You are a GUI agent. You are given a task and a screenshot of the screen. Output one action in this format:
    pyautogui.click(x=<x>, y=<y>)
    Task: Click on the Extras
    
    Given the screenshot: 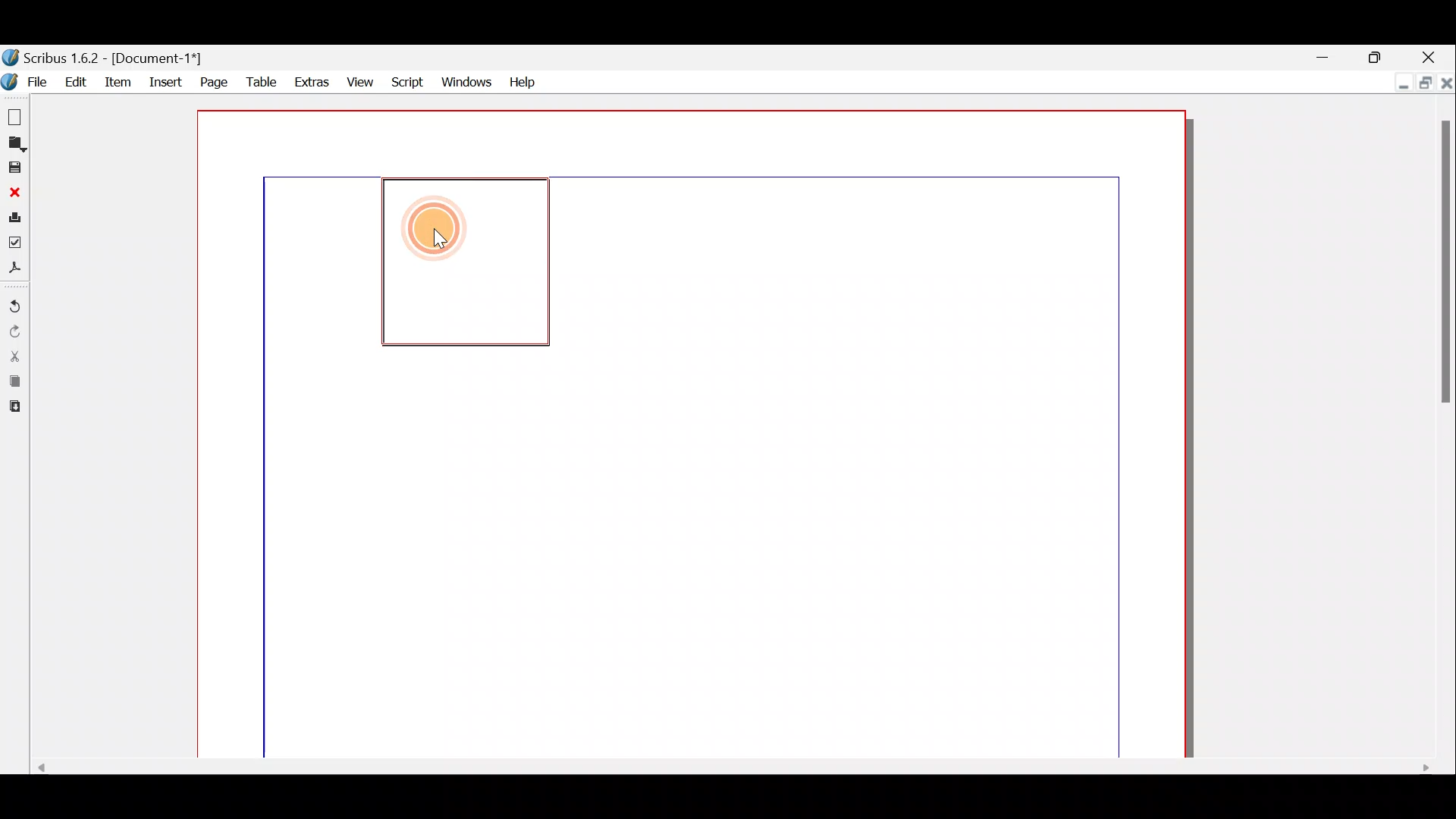 What is the action you would take?
    pyautogui.click(x=310, y=83)
    